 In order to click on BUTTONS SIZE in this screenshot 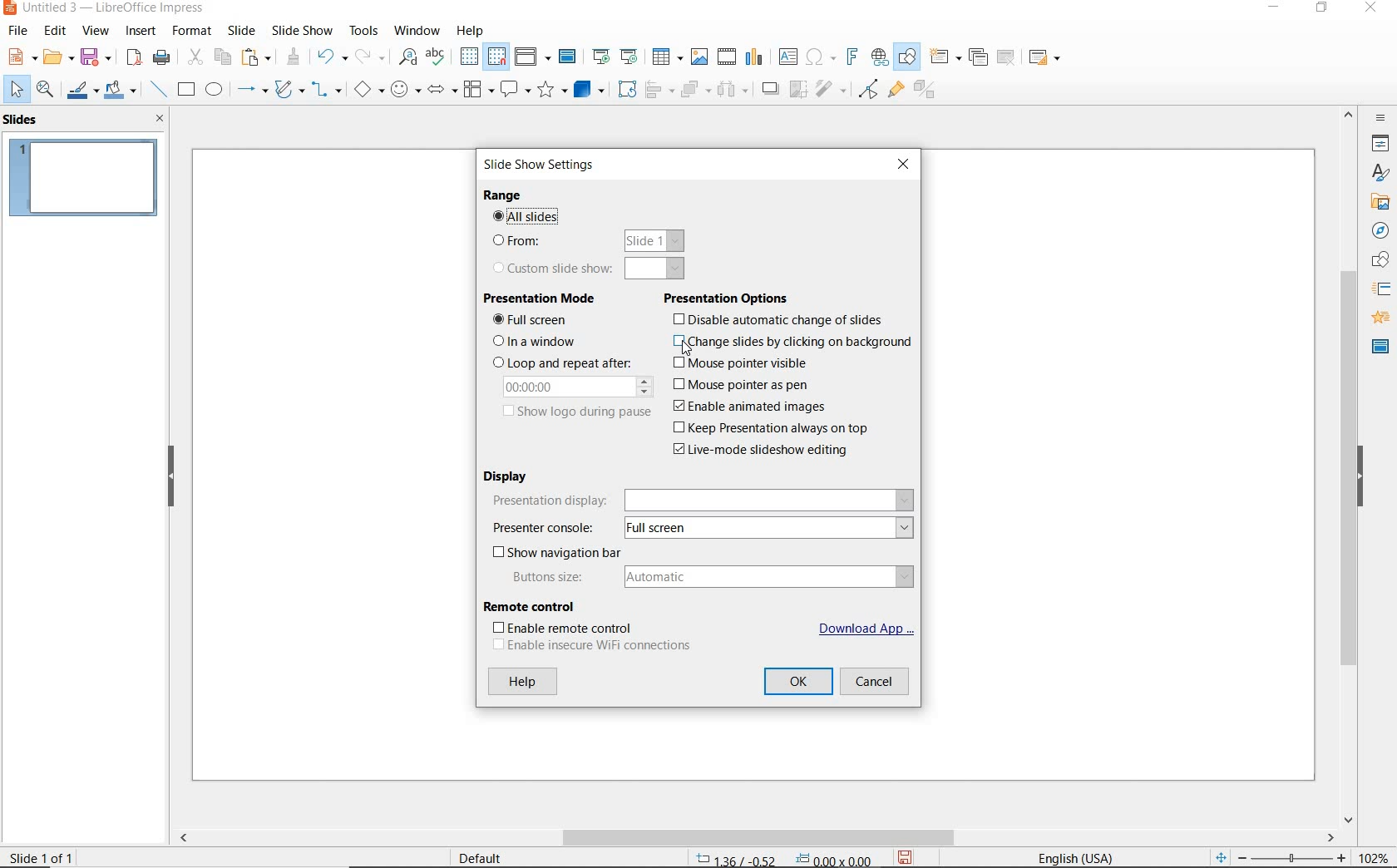, I will do `click(708, 576)`.